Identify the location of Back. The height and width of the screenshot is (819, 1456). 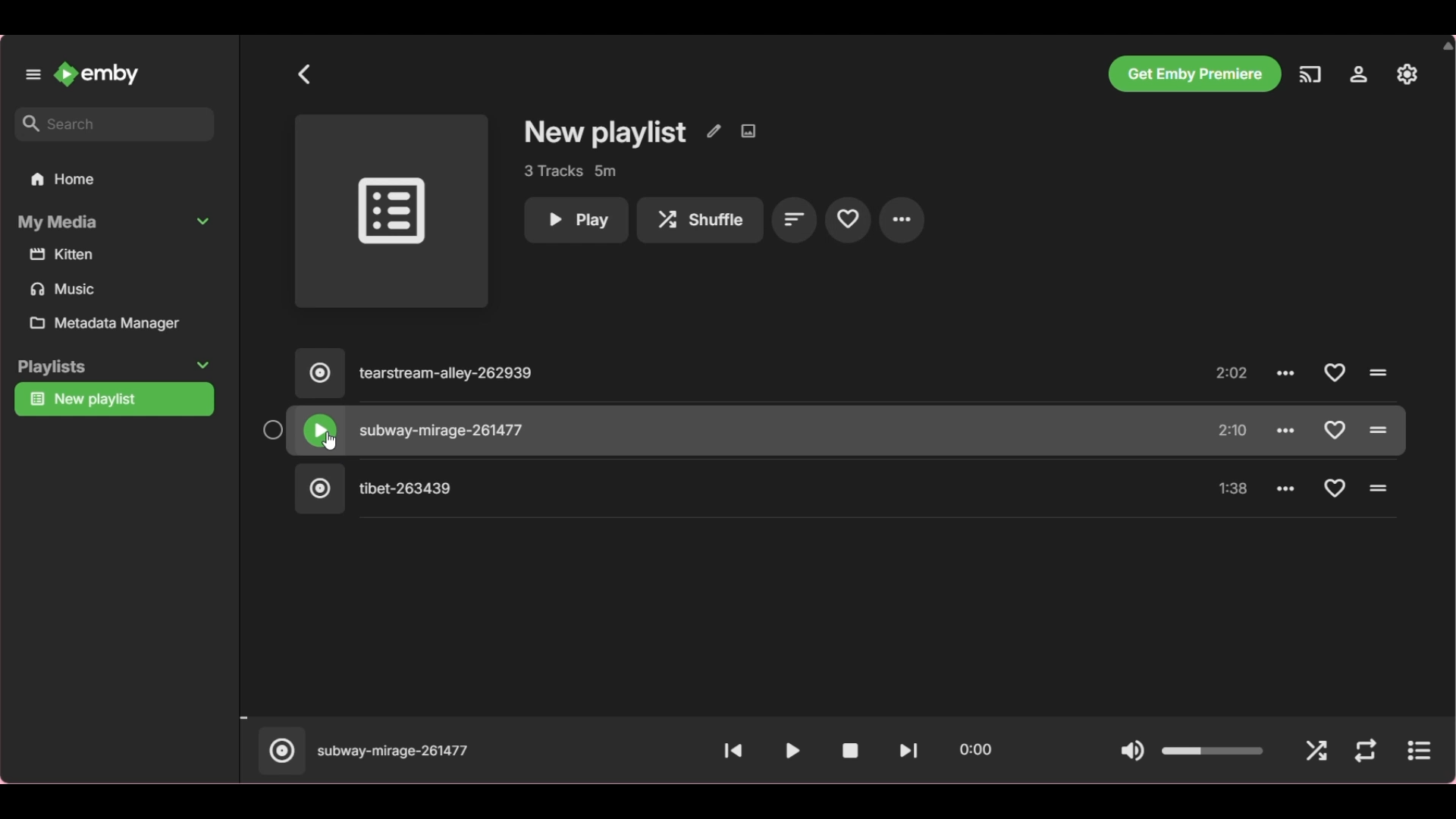
(305, 74).